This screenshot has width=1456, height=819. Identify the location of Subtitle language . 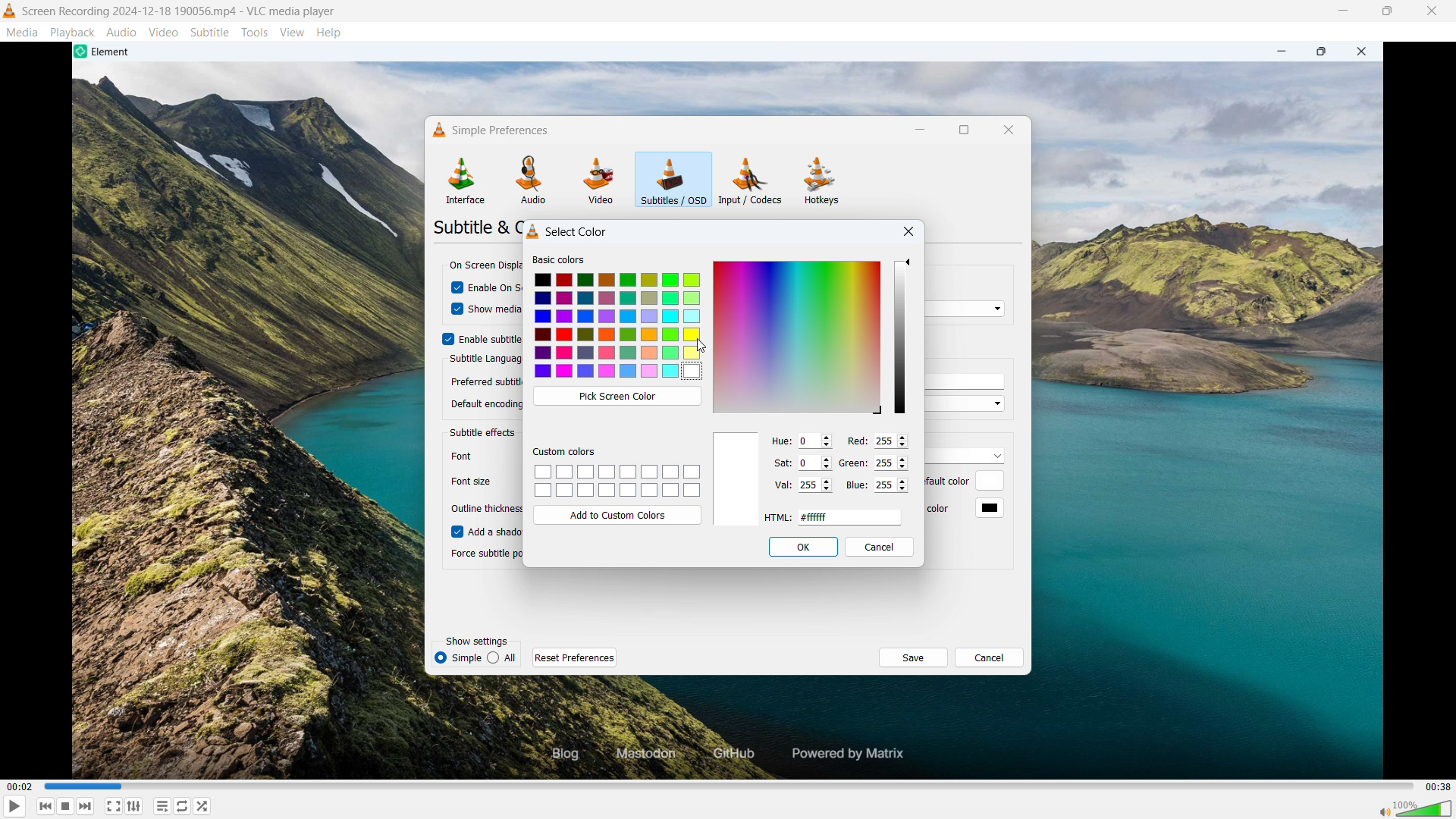
(483, 359).